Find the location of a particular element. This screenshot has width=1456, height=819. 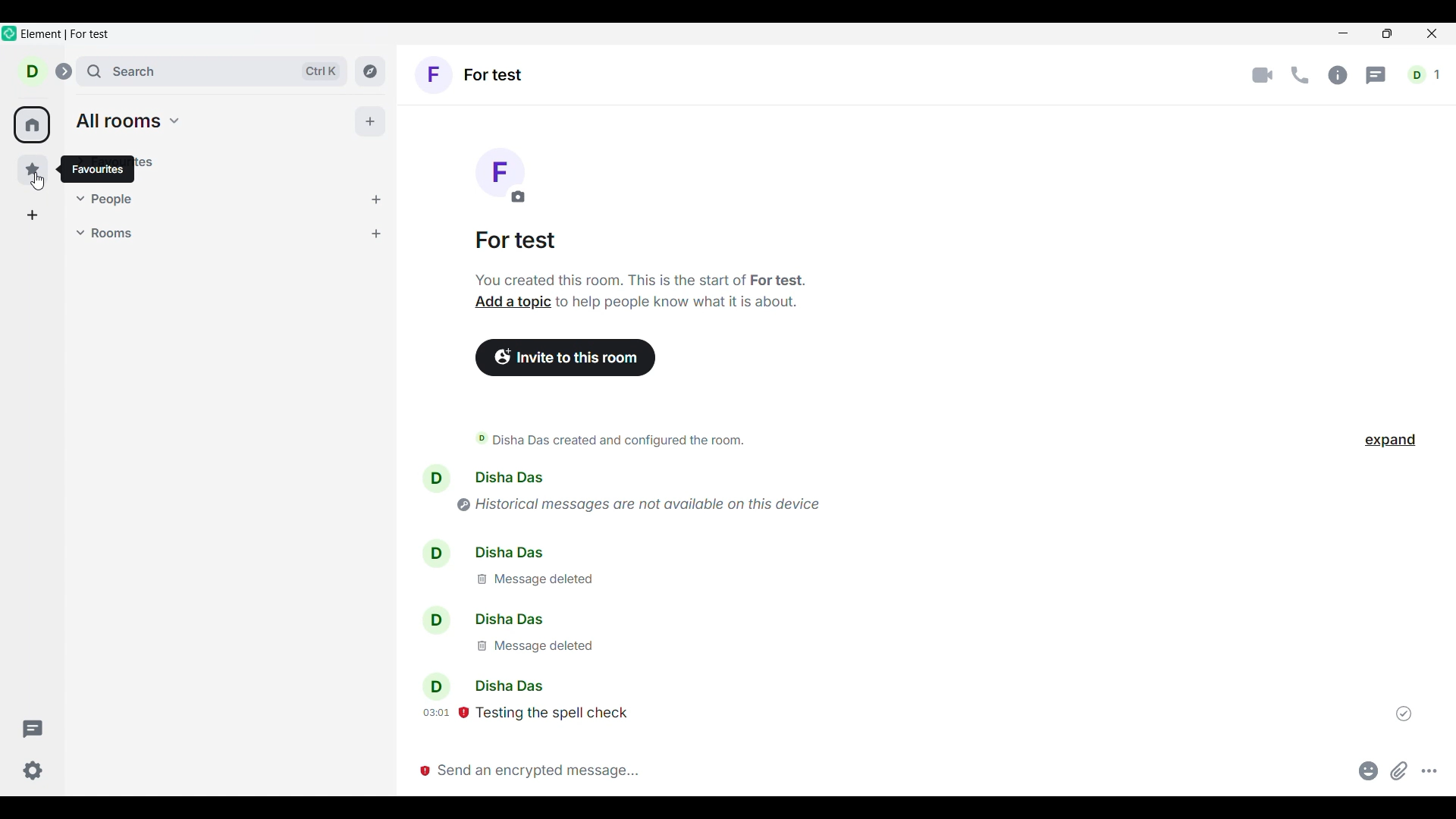

message deleted is located at coordinates (552, 652).